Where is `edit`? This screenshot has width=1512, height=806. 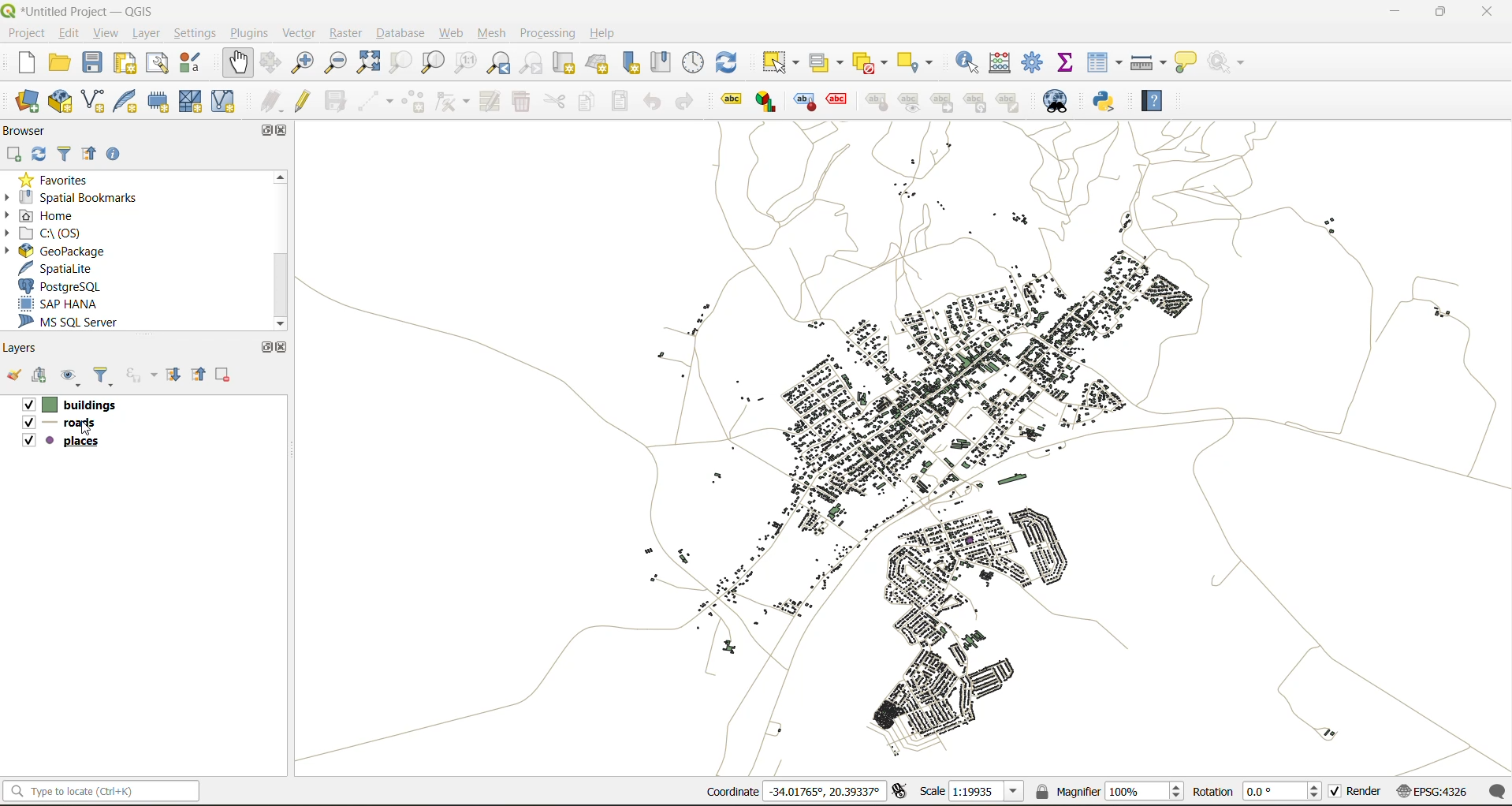
edit is located at coordinates (68, 32).